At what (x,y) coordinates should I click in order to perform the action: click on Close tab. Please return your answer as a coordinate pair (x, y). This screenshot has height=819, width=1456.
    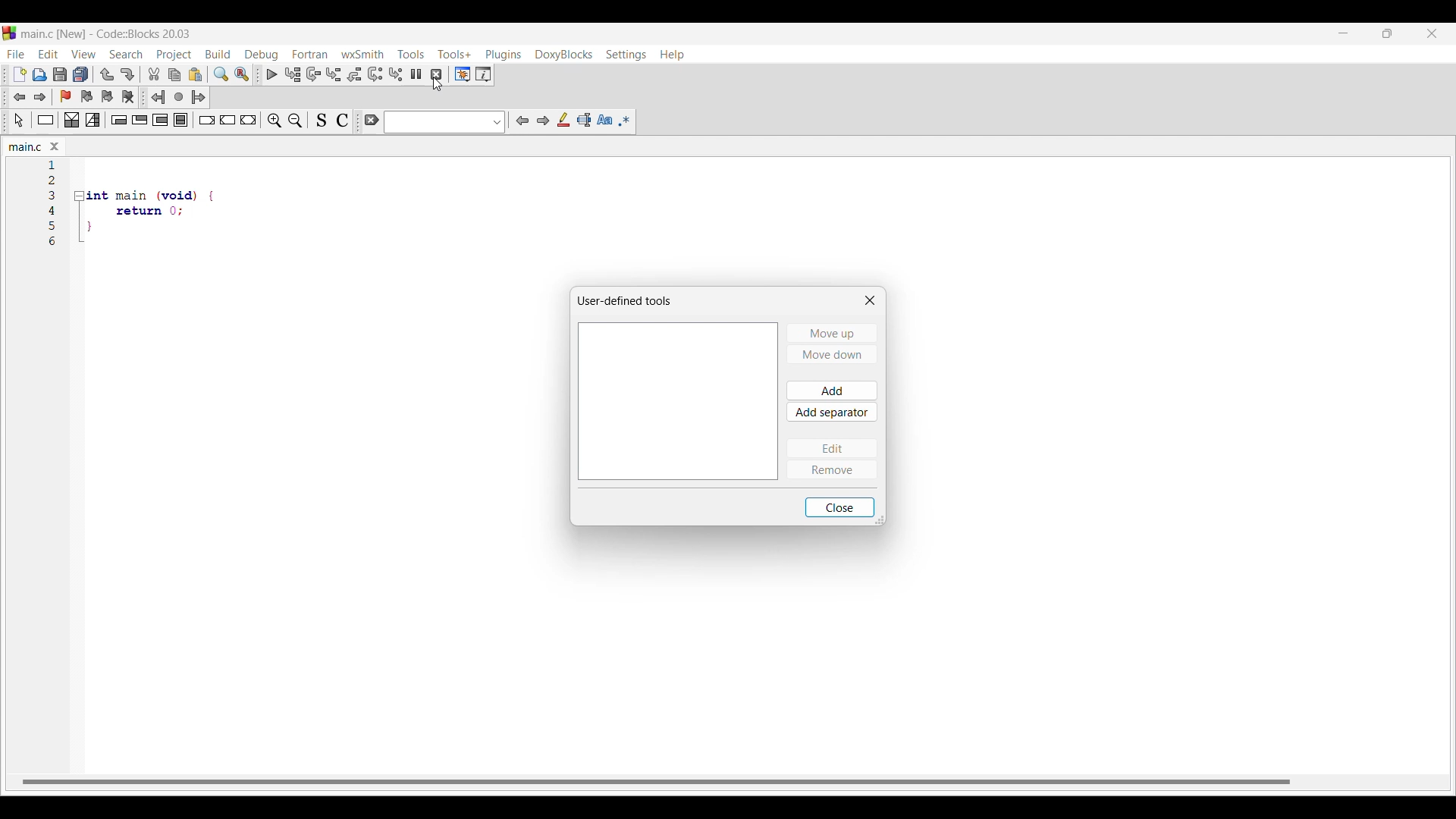
    Looking at the image, I should click on (55, 146).